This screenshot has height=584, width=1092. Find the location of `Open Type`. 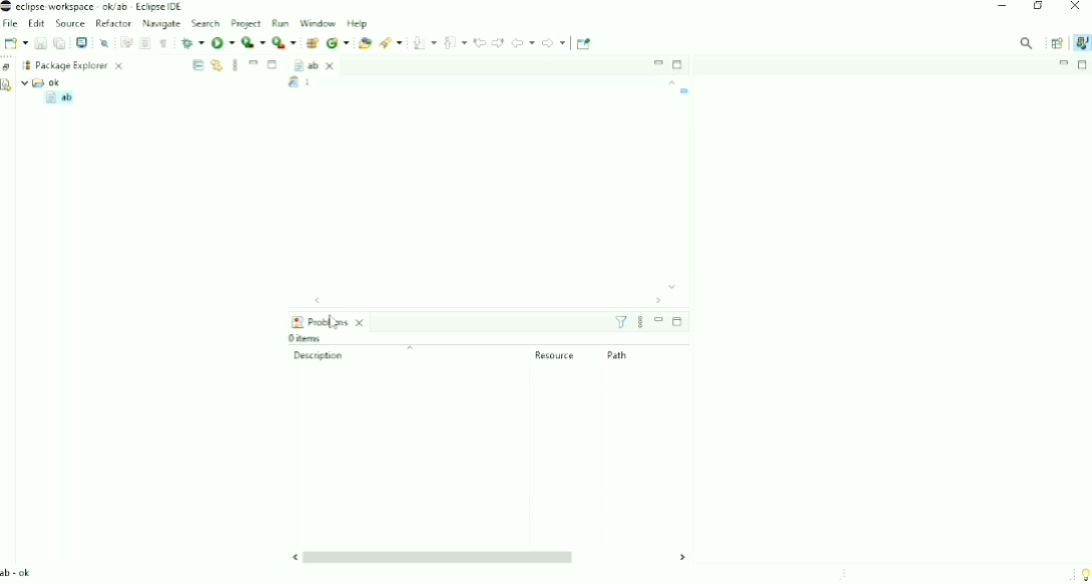

Open Type is located at coordinates (365, 43).